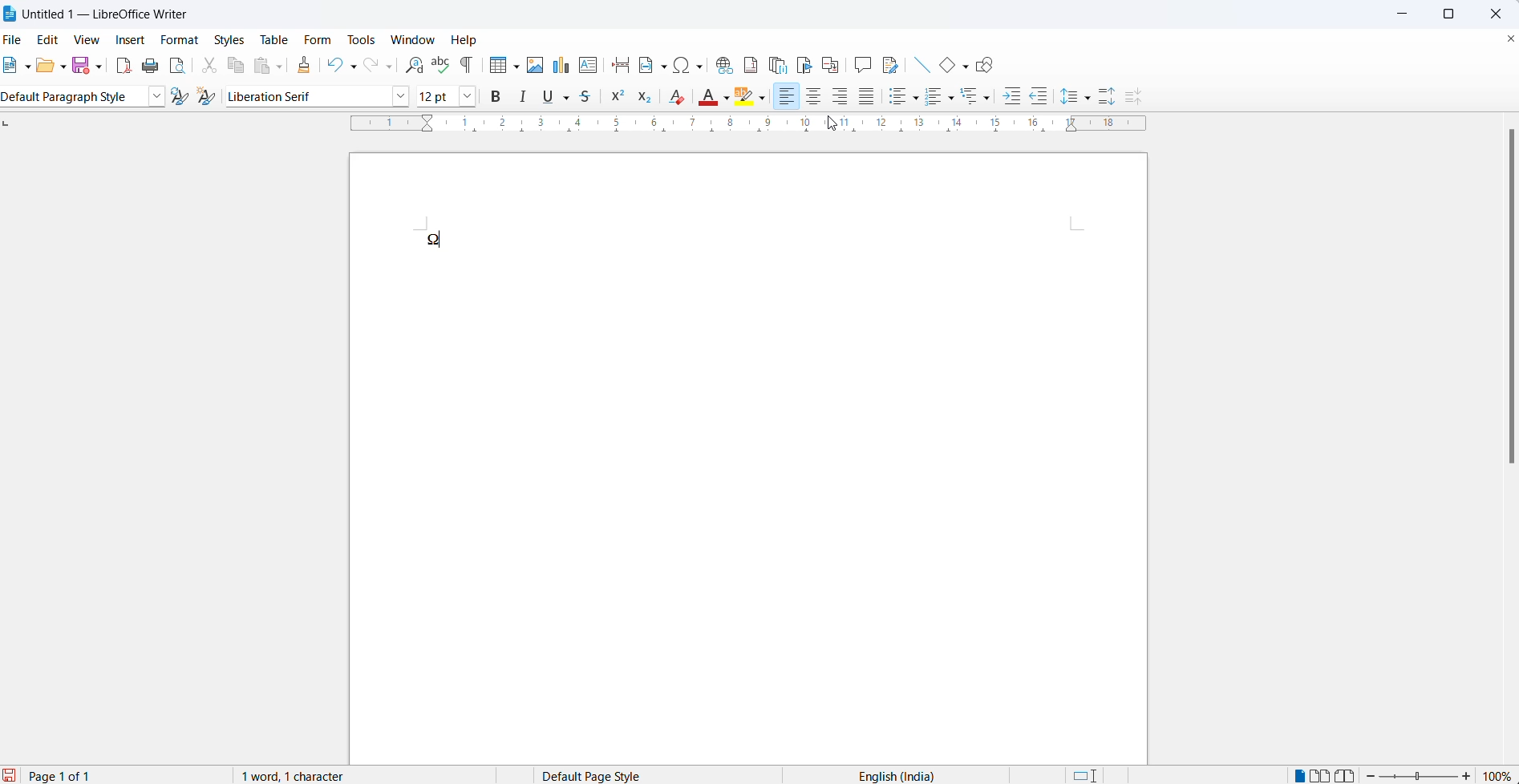 This screenshot has height=784, width=1519. I want to click on page breal, so click(617, 64).